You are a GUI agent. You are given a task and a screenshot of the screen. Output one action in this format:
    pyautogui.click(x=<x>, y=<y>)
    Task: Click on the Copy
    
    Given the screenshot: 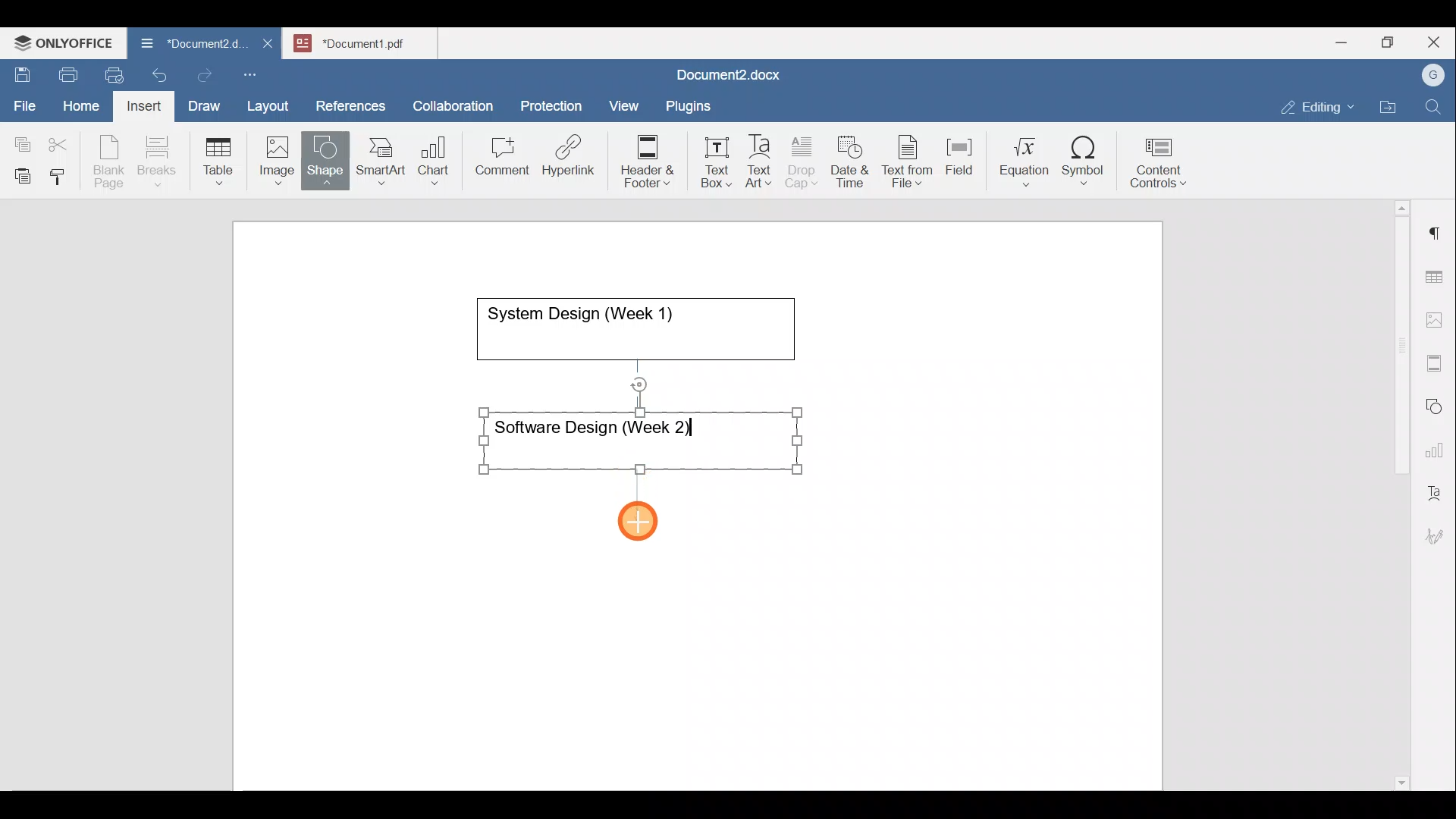 What is the action you would take?
    pyautogui.click(x=20, y=140)
    